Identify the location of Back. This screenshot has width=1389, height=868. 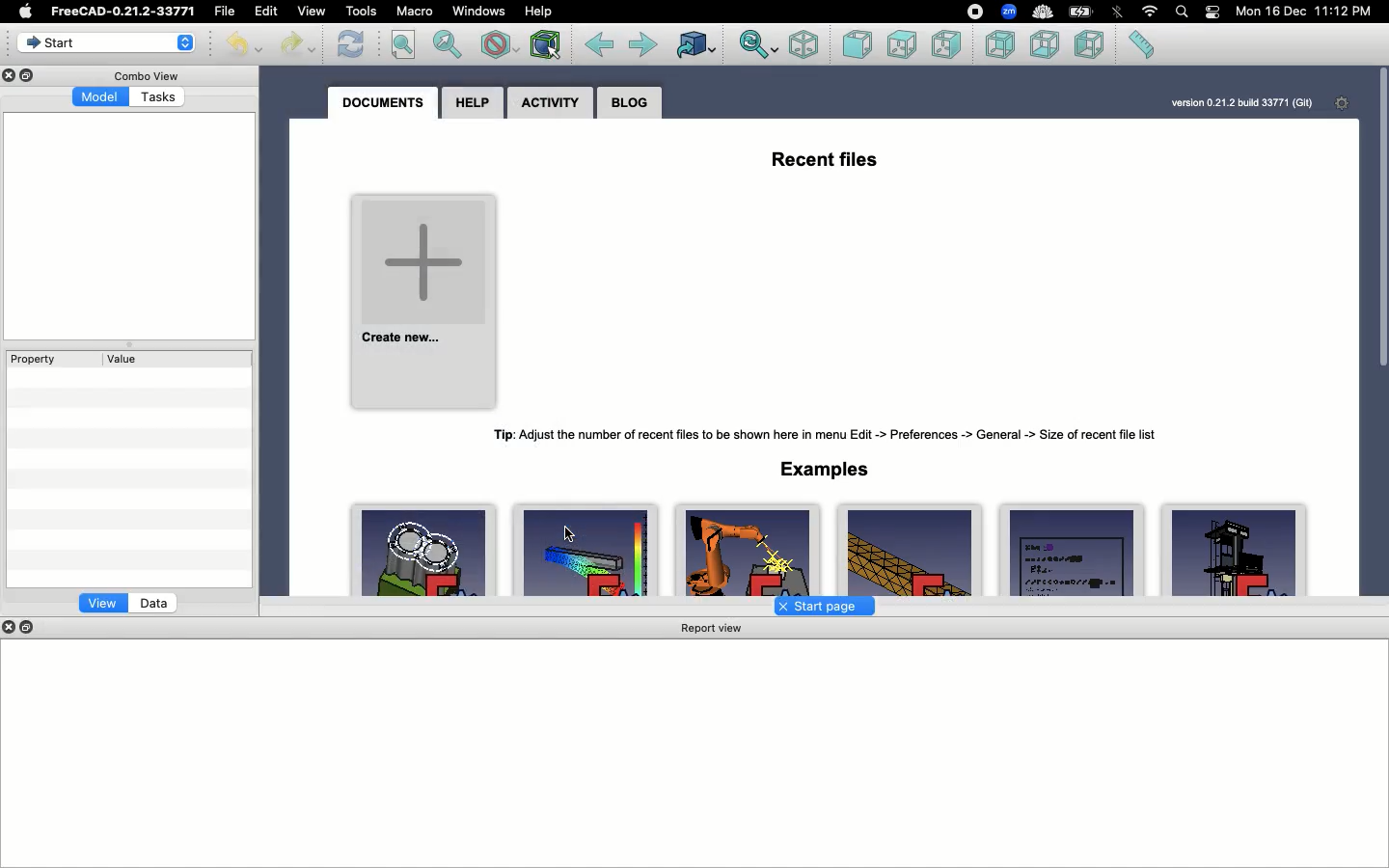
(1000, 44).